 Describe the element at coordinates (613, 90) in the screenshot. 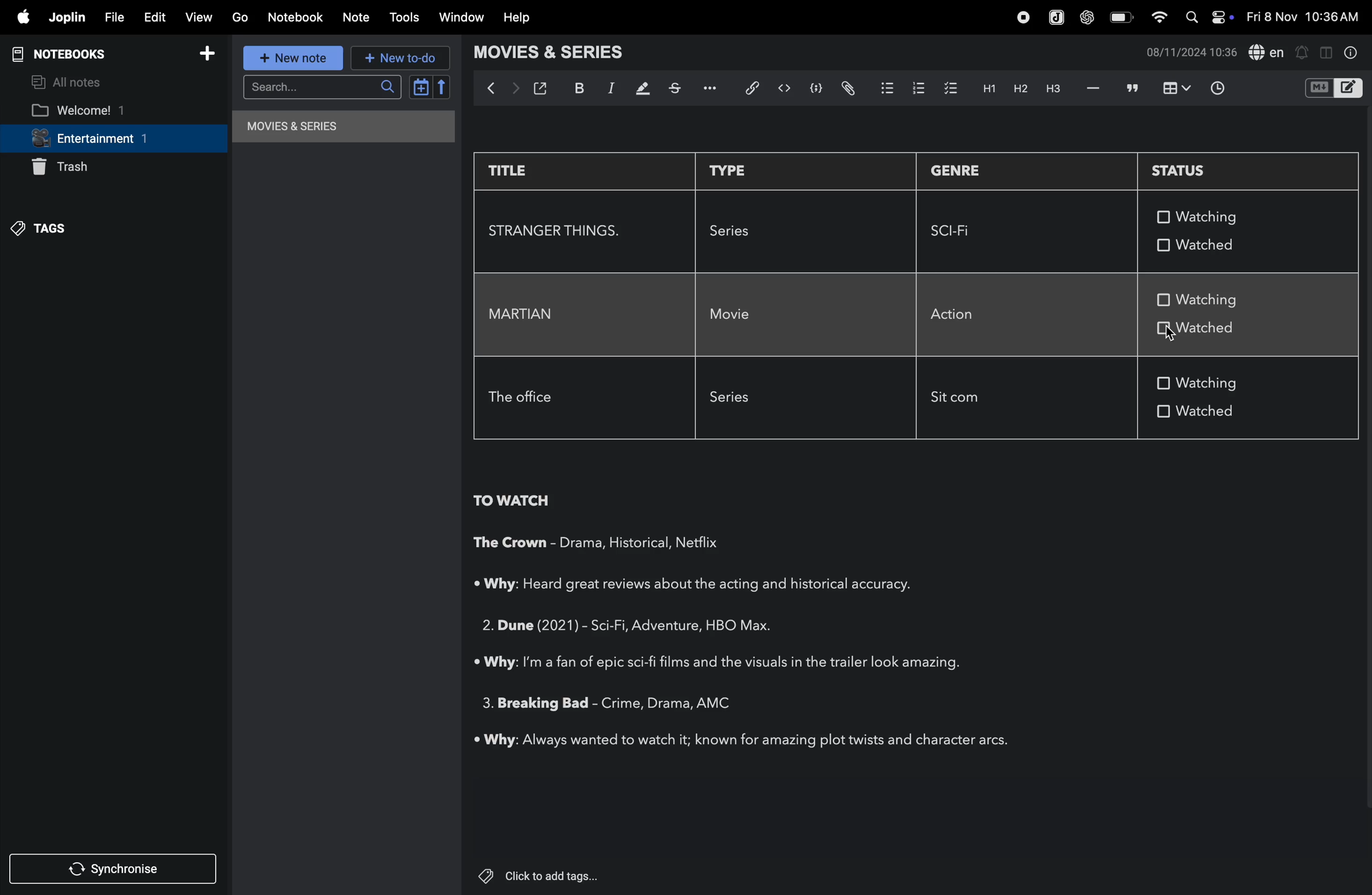

I see `italic` at that location.